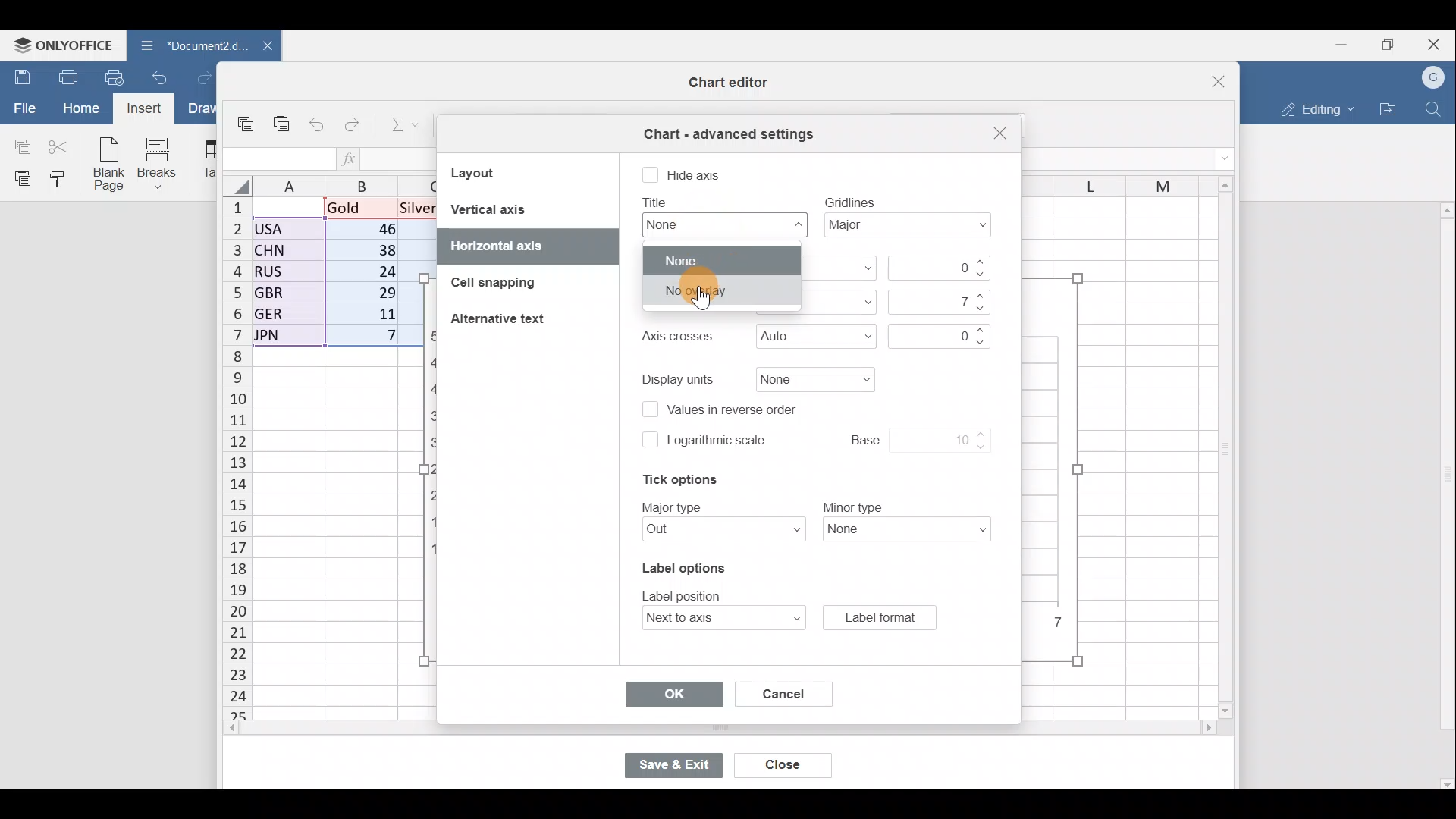 Image resolution: width=1456 pixels, height=819 pixels. I want to click on Scroll bar, so click(1444, 495).